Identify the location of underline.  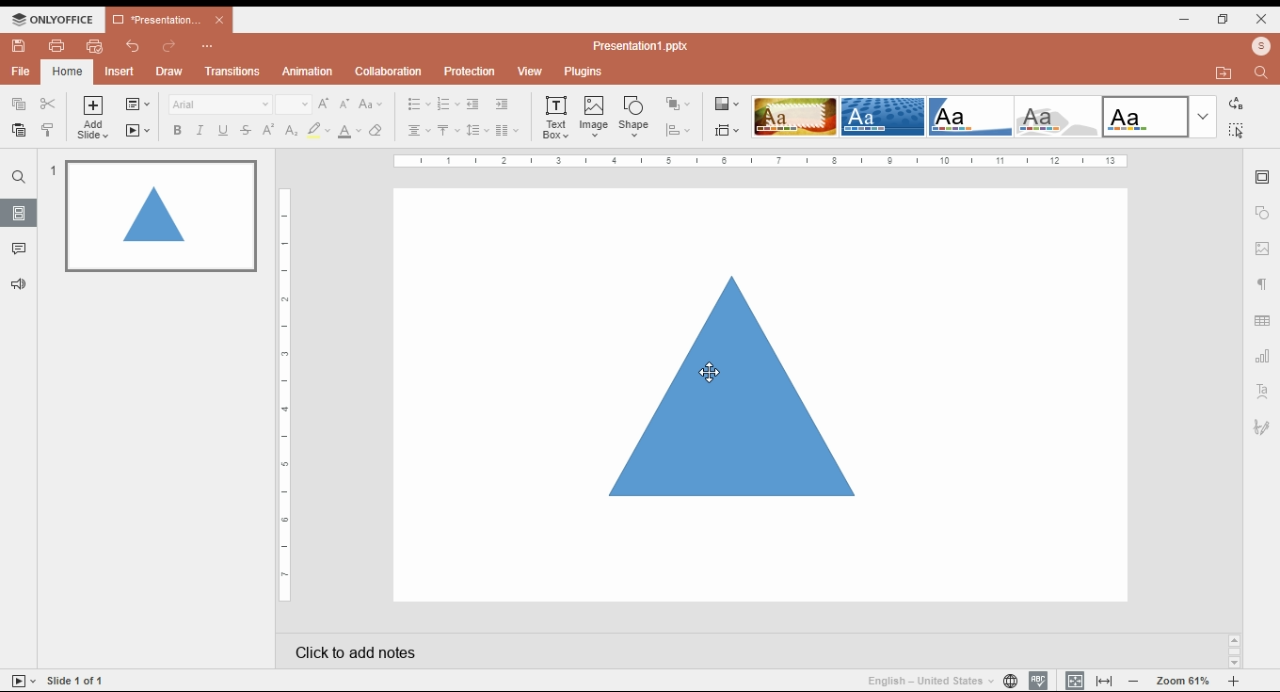
(223, 130).